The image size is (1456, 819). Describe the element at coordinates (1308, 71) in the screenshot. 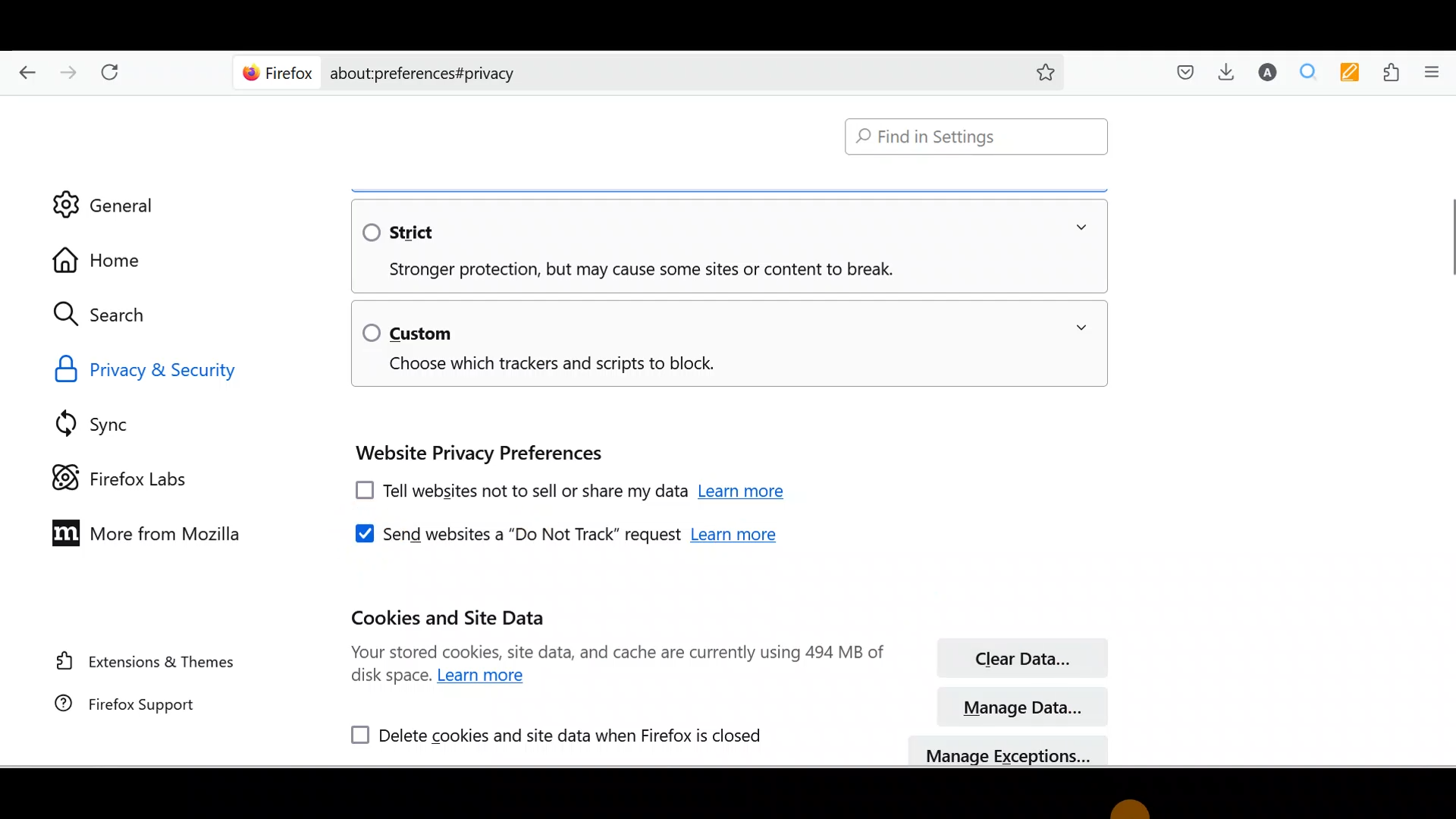

I see `Multiple search and higlight` at that location.